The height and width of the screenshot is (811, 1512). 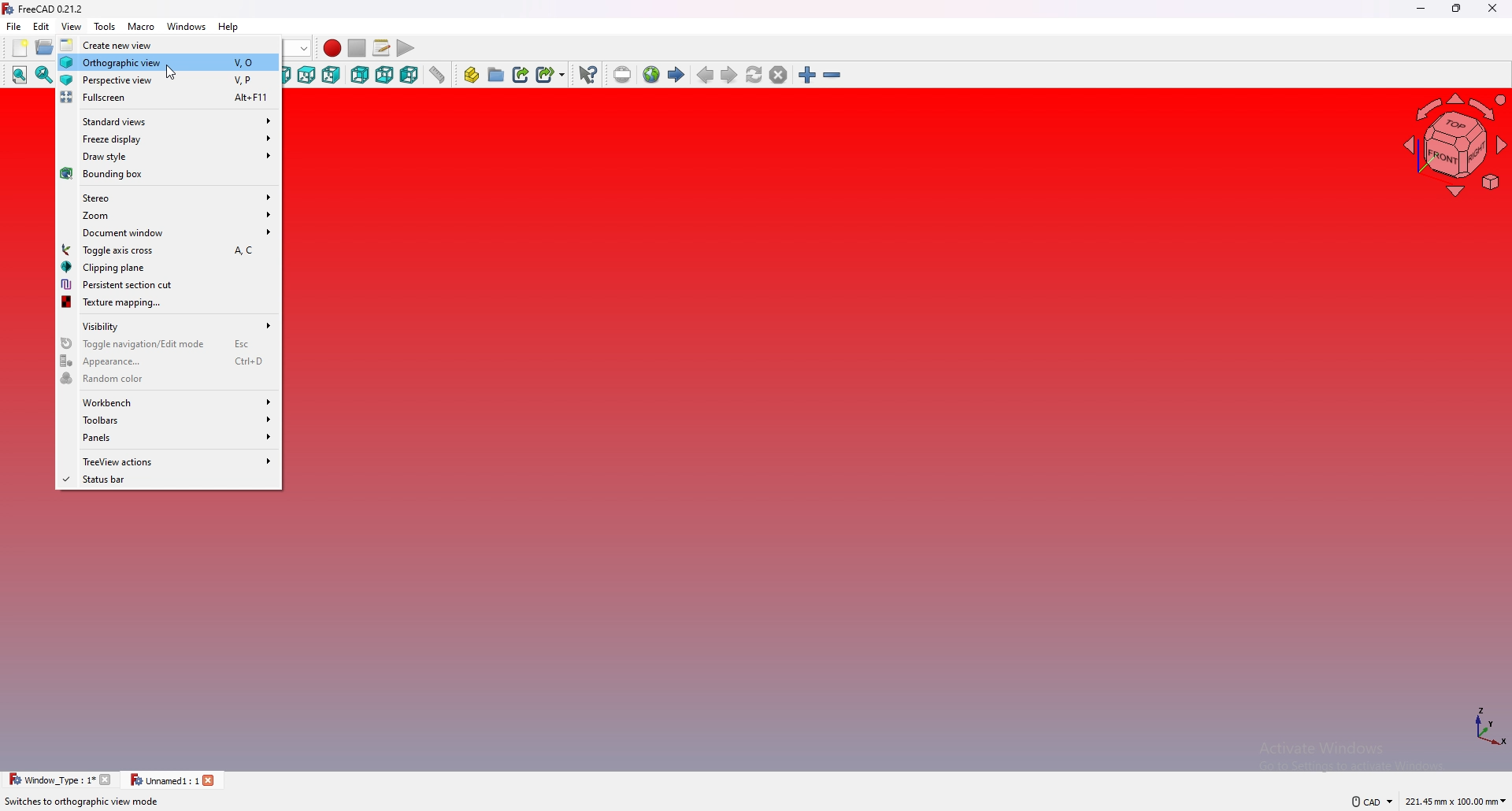 I want to click on insert url, so click(x=622, y=74).